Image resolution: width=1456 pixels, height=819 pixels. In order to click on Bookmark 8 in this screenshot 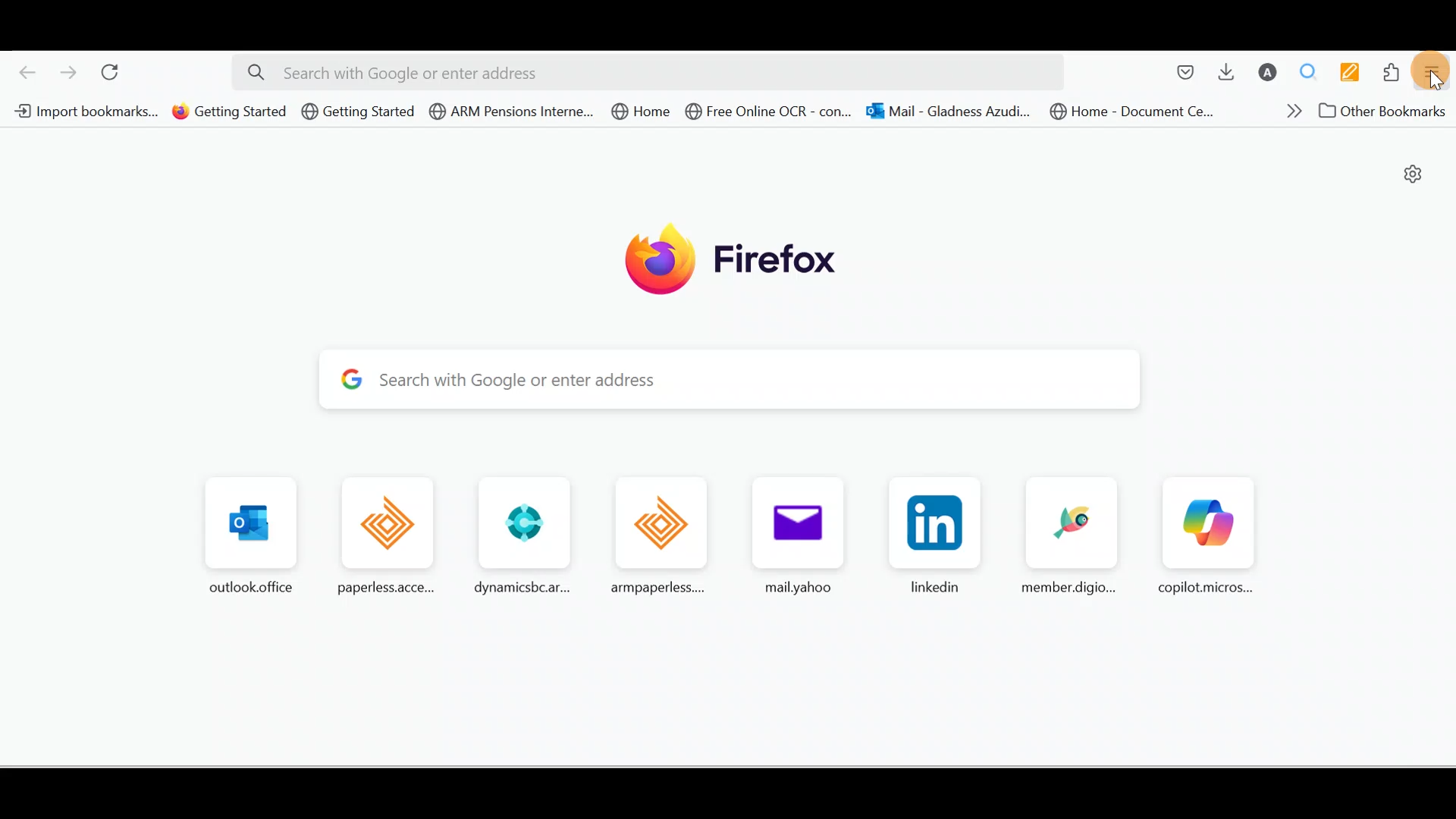, I will do `click(1131, 111)`.